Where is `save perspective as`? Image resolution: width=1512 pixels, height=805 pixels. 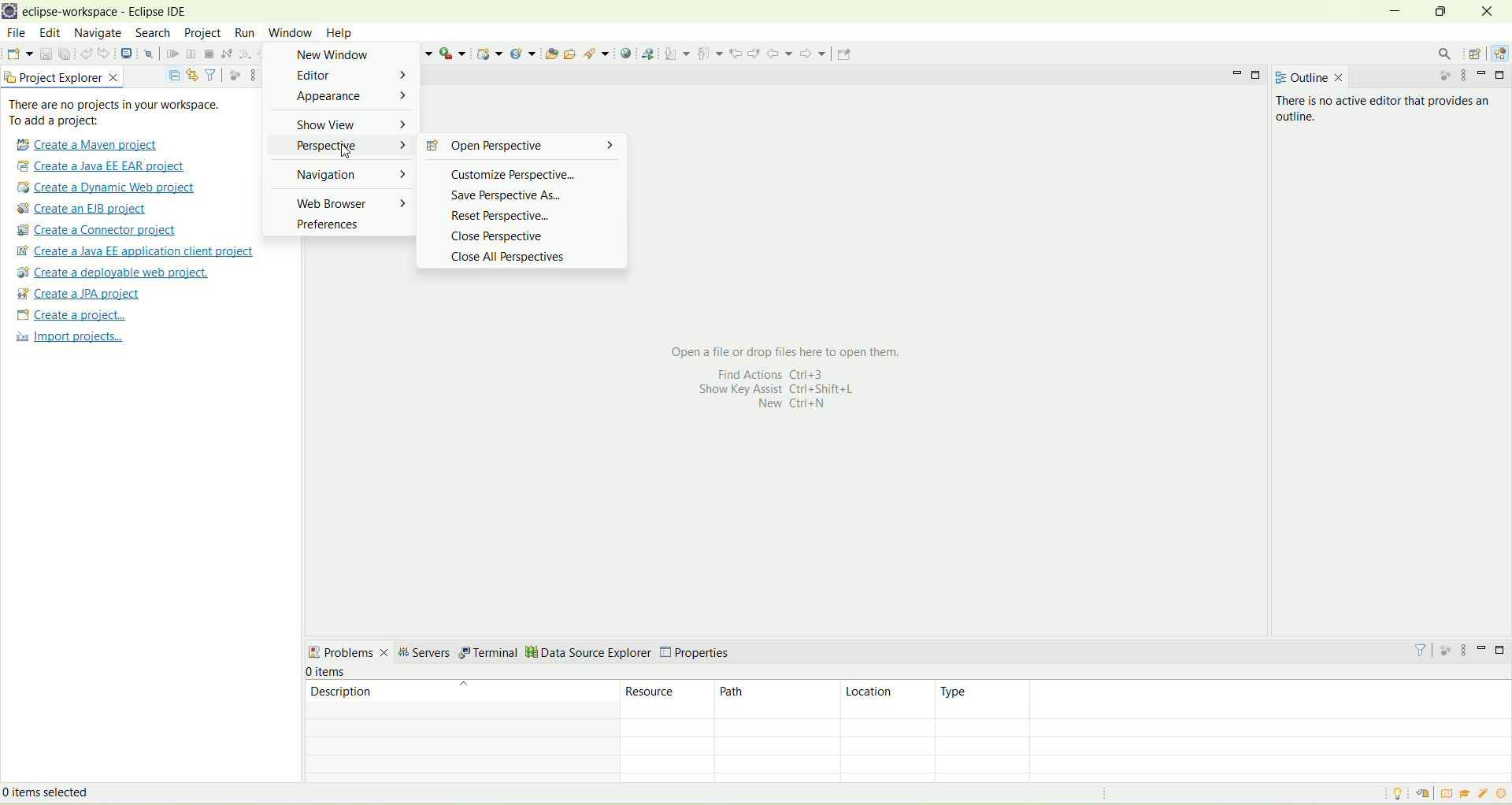 save perspective as is located at coordinates (507, 195).